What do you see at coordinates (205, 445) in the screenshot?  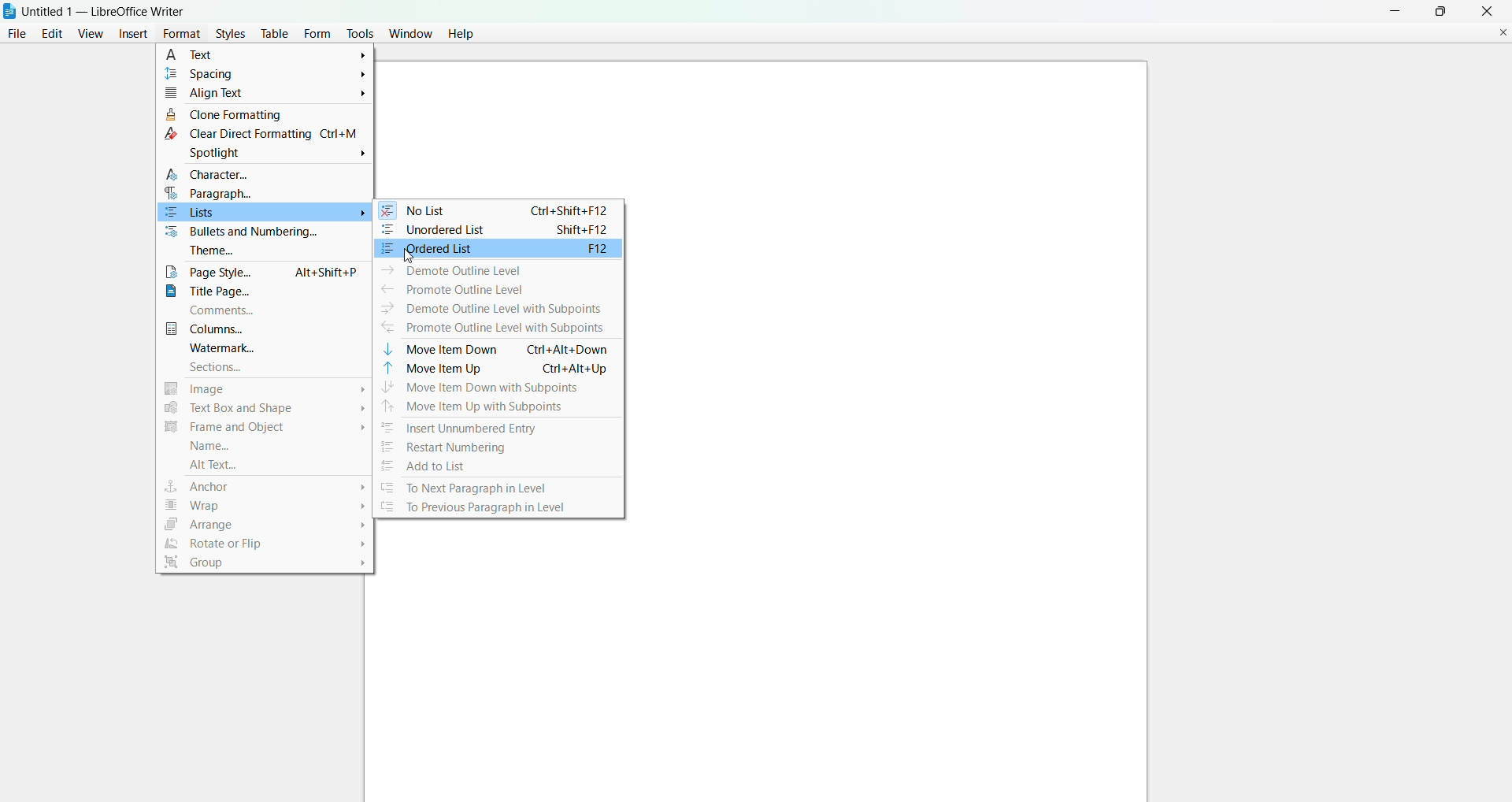 I see `name` at bounding box center [205, 445].